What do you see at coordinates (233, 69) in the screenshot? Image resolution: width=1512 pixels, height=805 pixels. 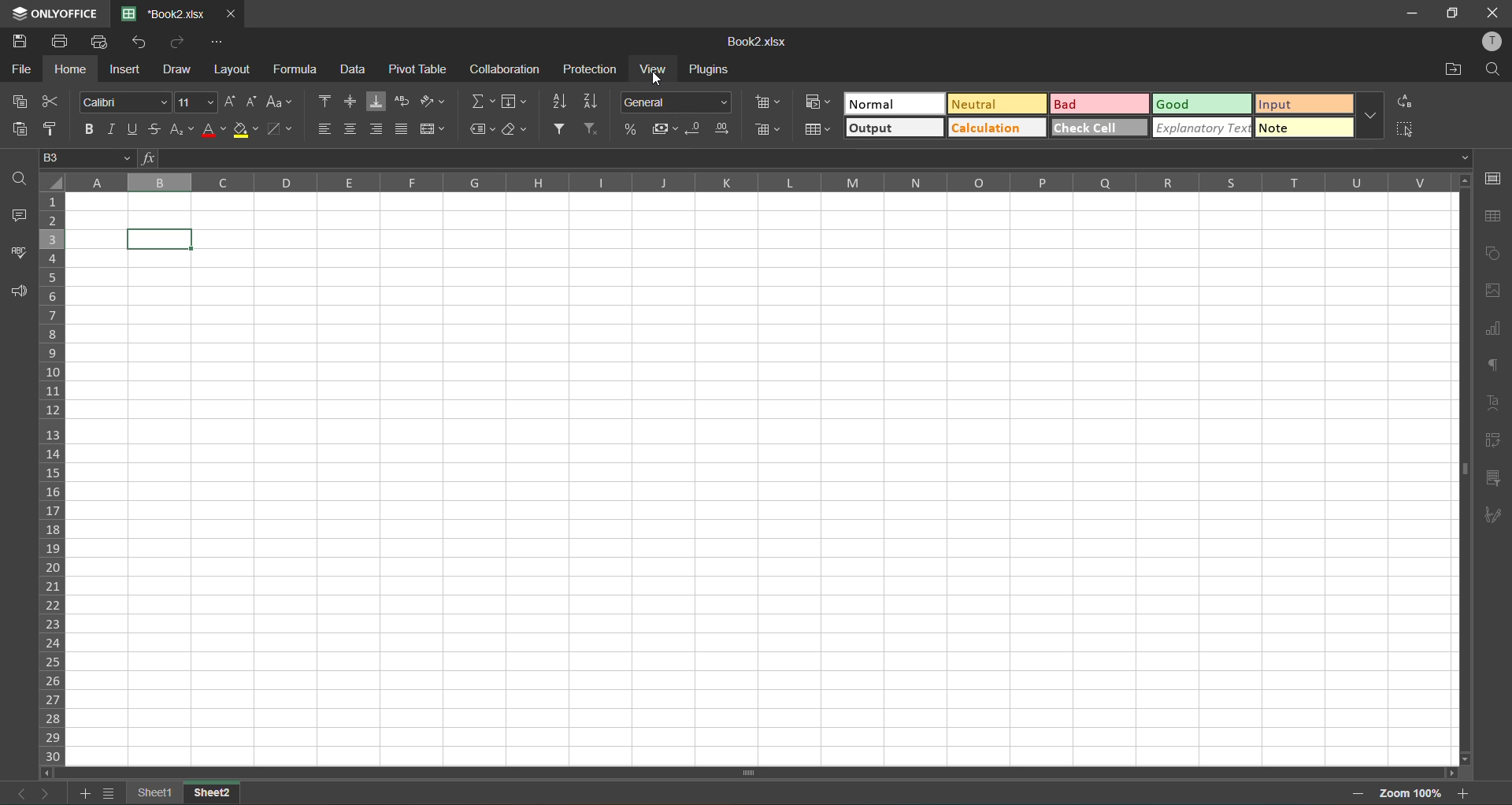 I see `layout` at bounding box center [233, 69].